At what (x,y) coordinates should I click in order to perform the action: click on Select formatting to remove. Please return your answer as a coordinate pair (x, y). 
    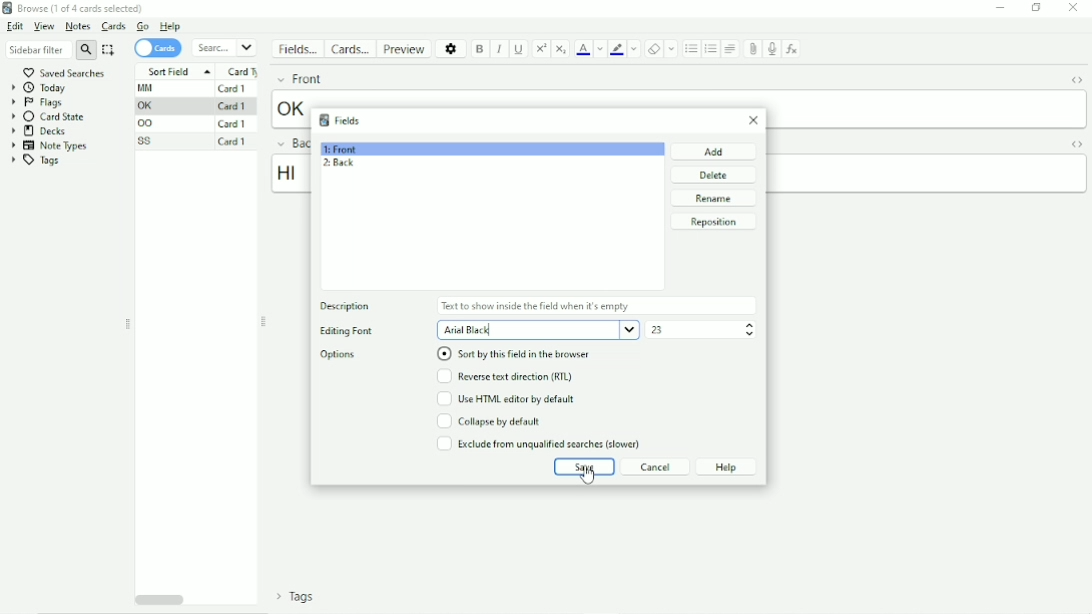
    Looking at the image, I should click on (672, 48).